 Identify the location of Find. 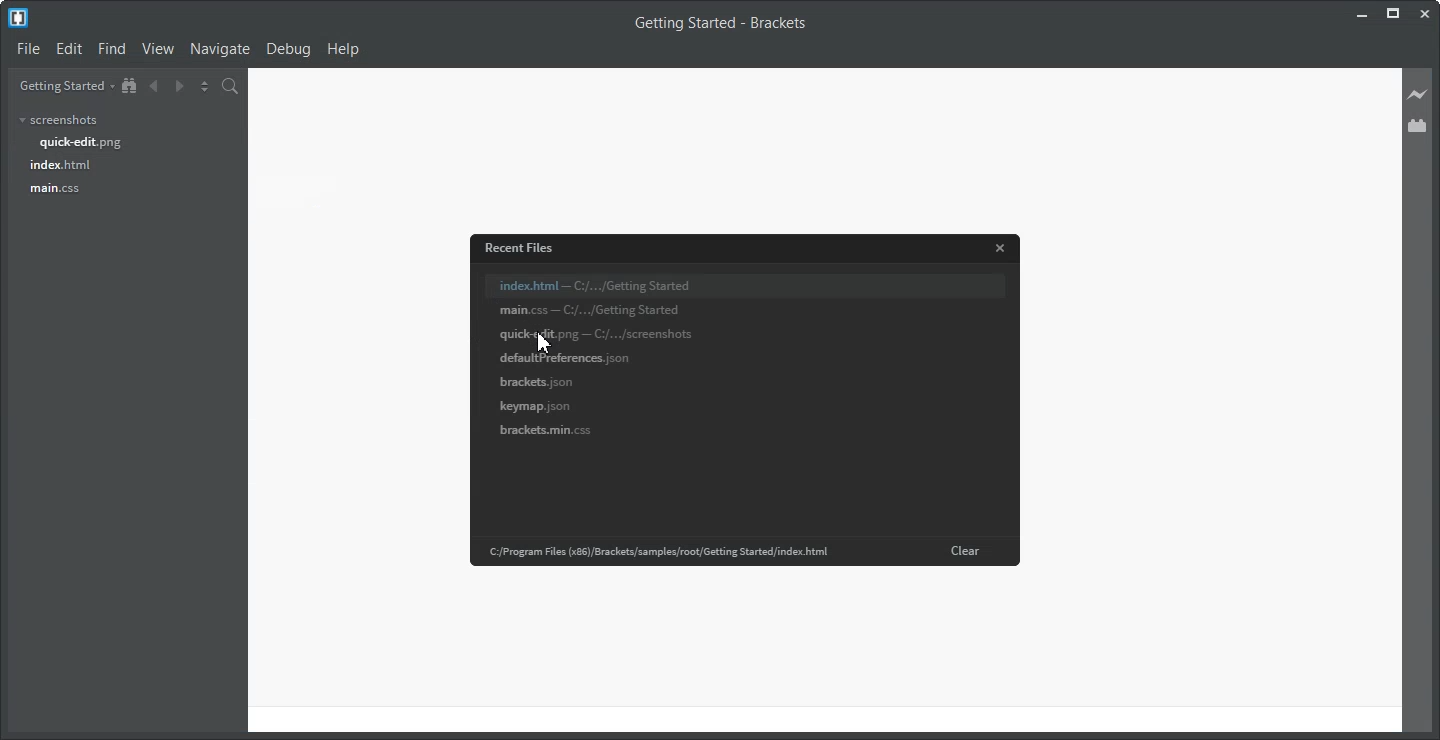
(112, 49).